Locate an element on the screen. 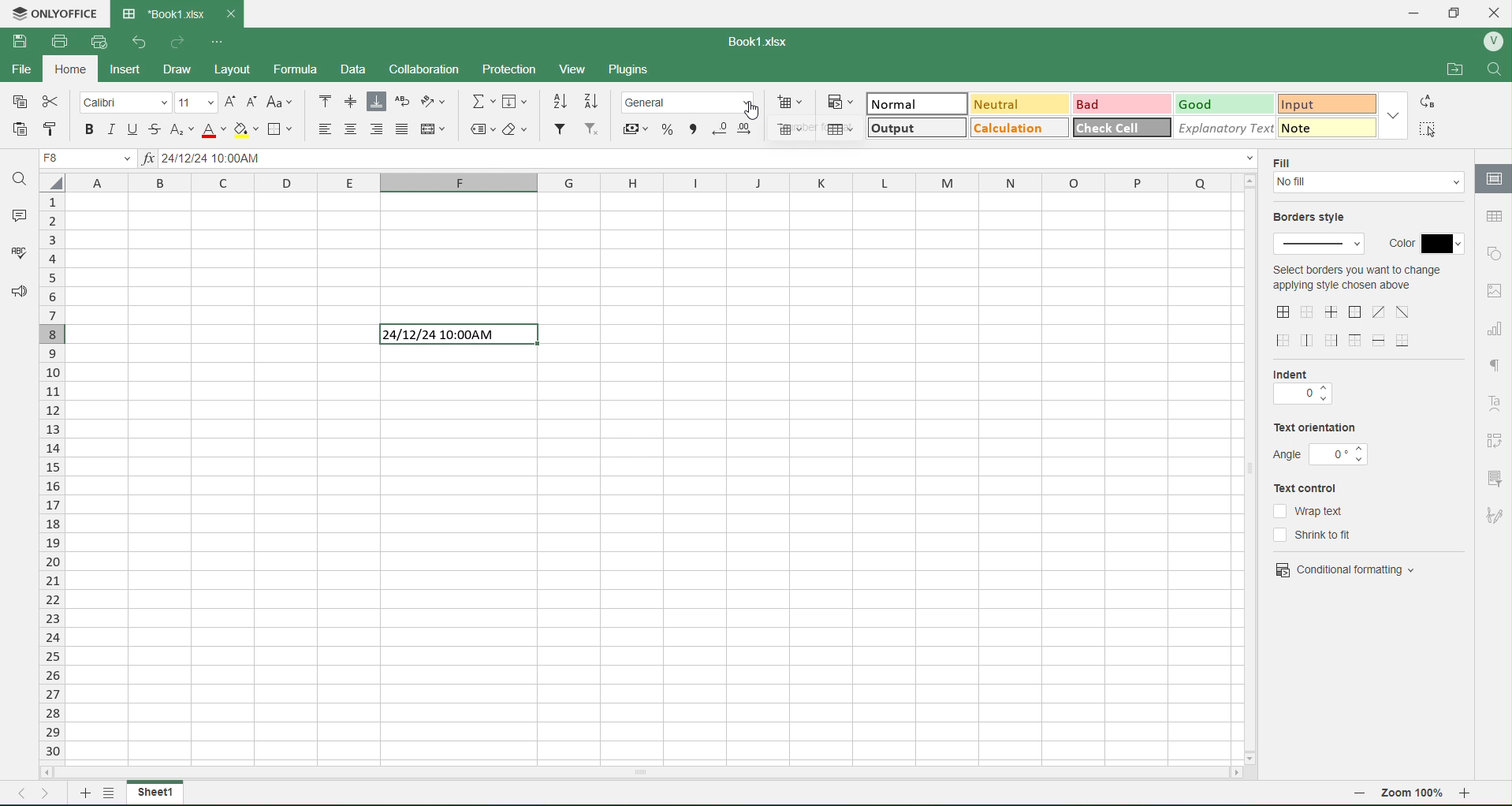  Good is located at coordinates (1204, 103).